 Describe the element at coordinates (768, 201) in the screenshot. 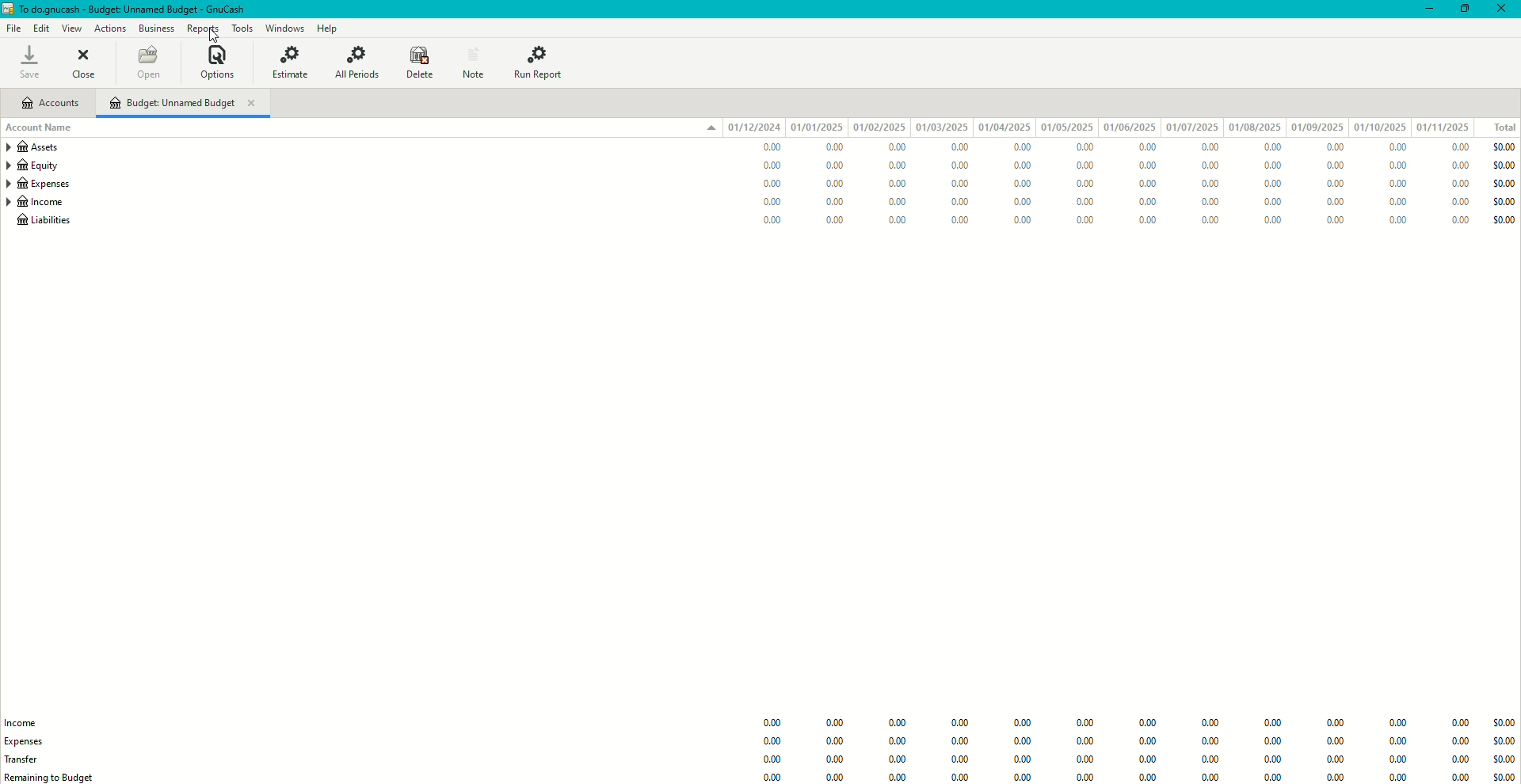

I see `0.00` at that location.